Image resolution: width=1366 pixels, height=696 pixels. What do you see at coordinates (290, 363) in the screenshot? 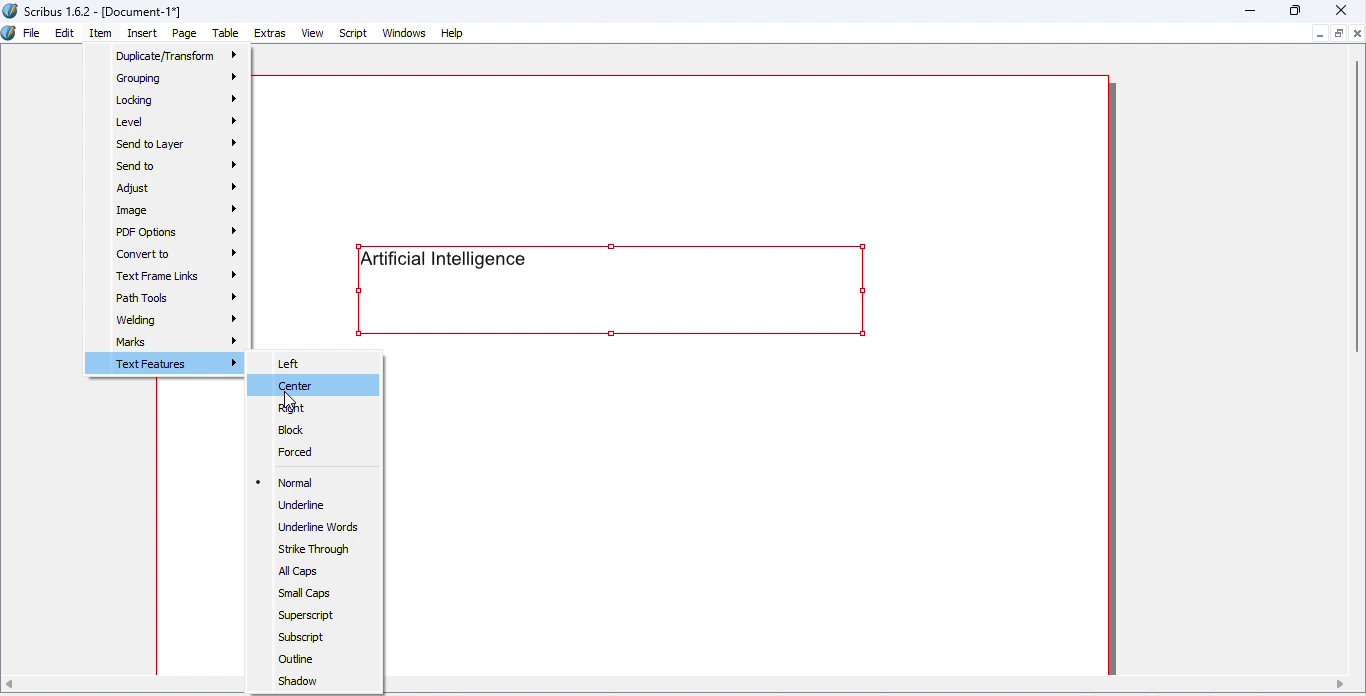
I see `Left` at bounding box center [290, 363].